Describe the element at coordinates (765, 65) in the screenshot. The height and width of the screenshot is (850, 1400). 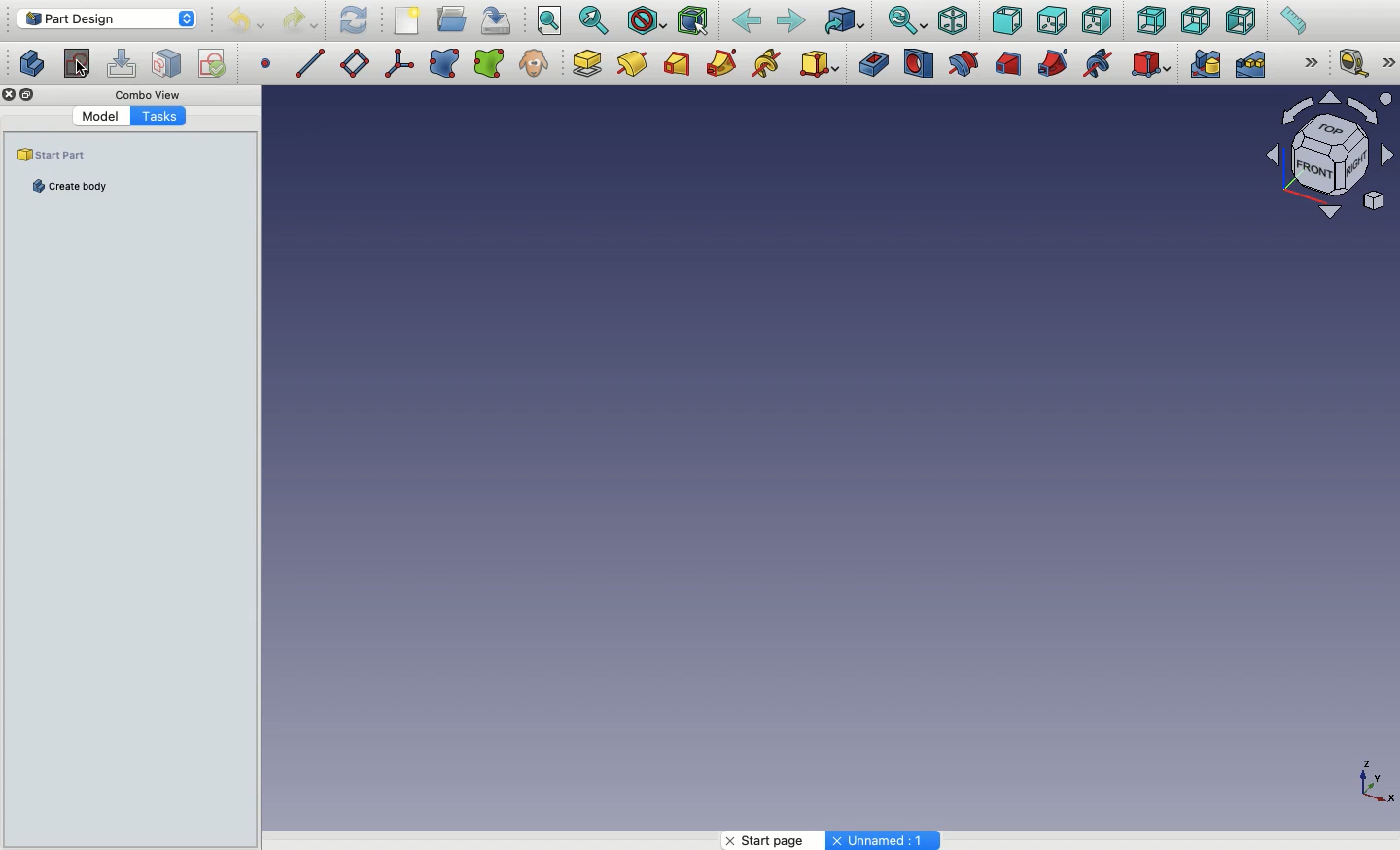
I see `Additive helix` at that location.